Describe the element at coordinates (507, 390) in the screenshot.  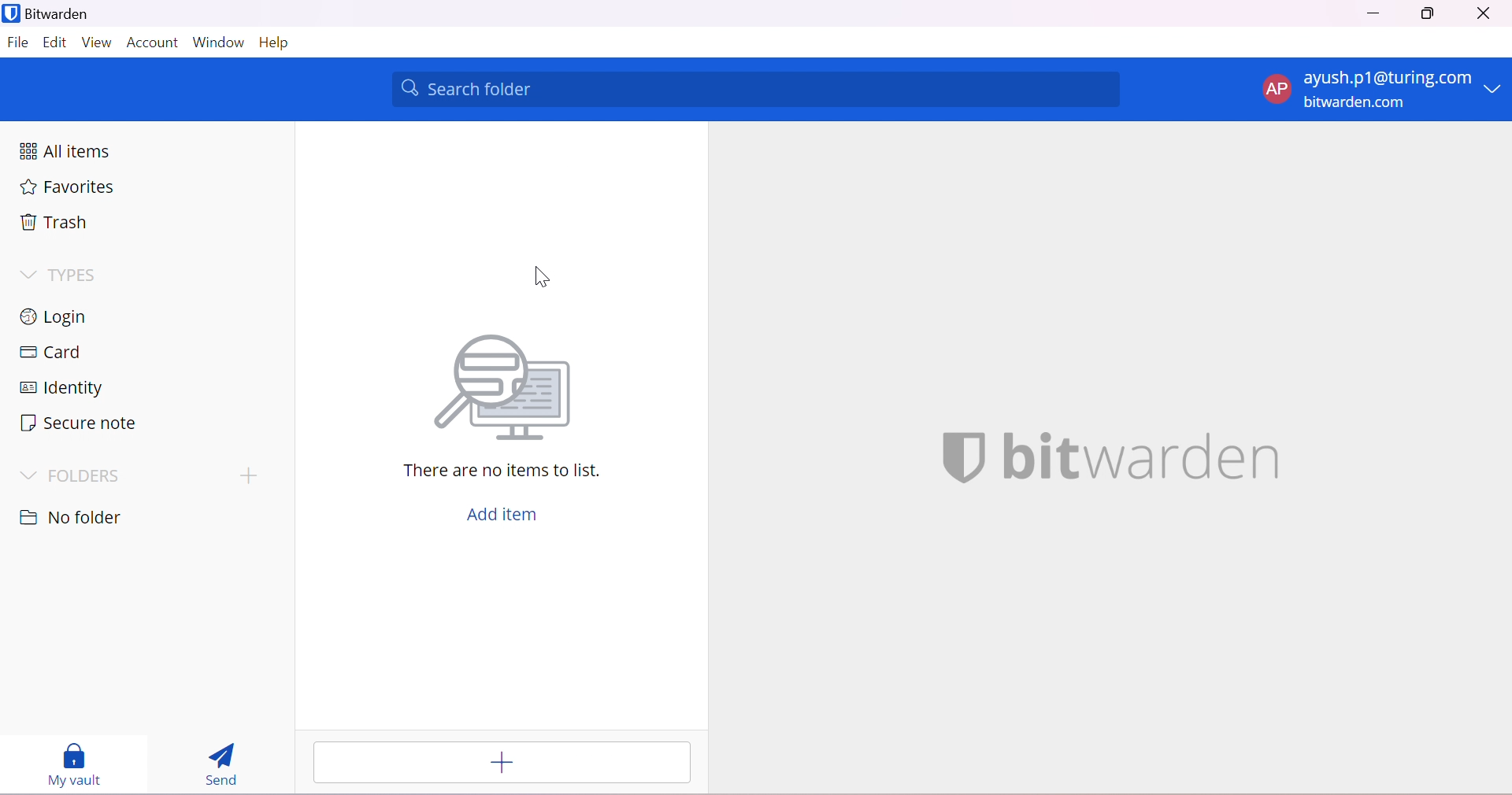
I see `Searching for file vector image` at that location.